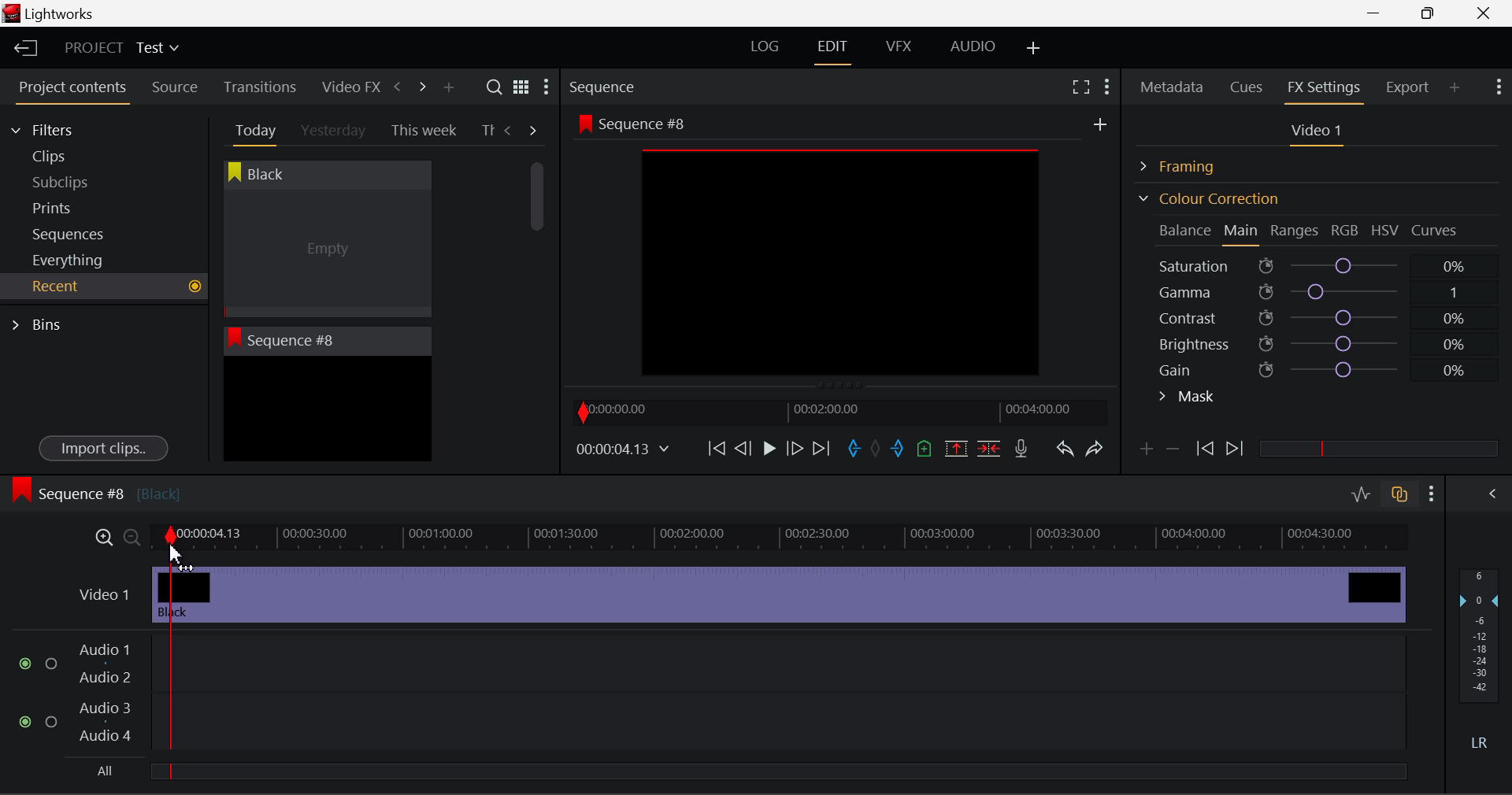 The height and width of the screenshot is (795, 1512). Describe the element at coordinates (1362, 492) in the screenshot. I see `Toggle audio editing levels` at that location.